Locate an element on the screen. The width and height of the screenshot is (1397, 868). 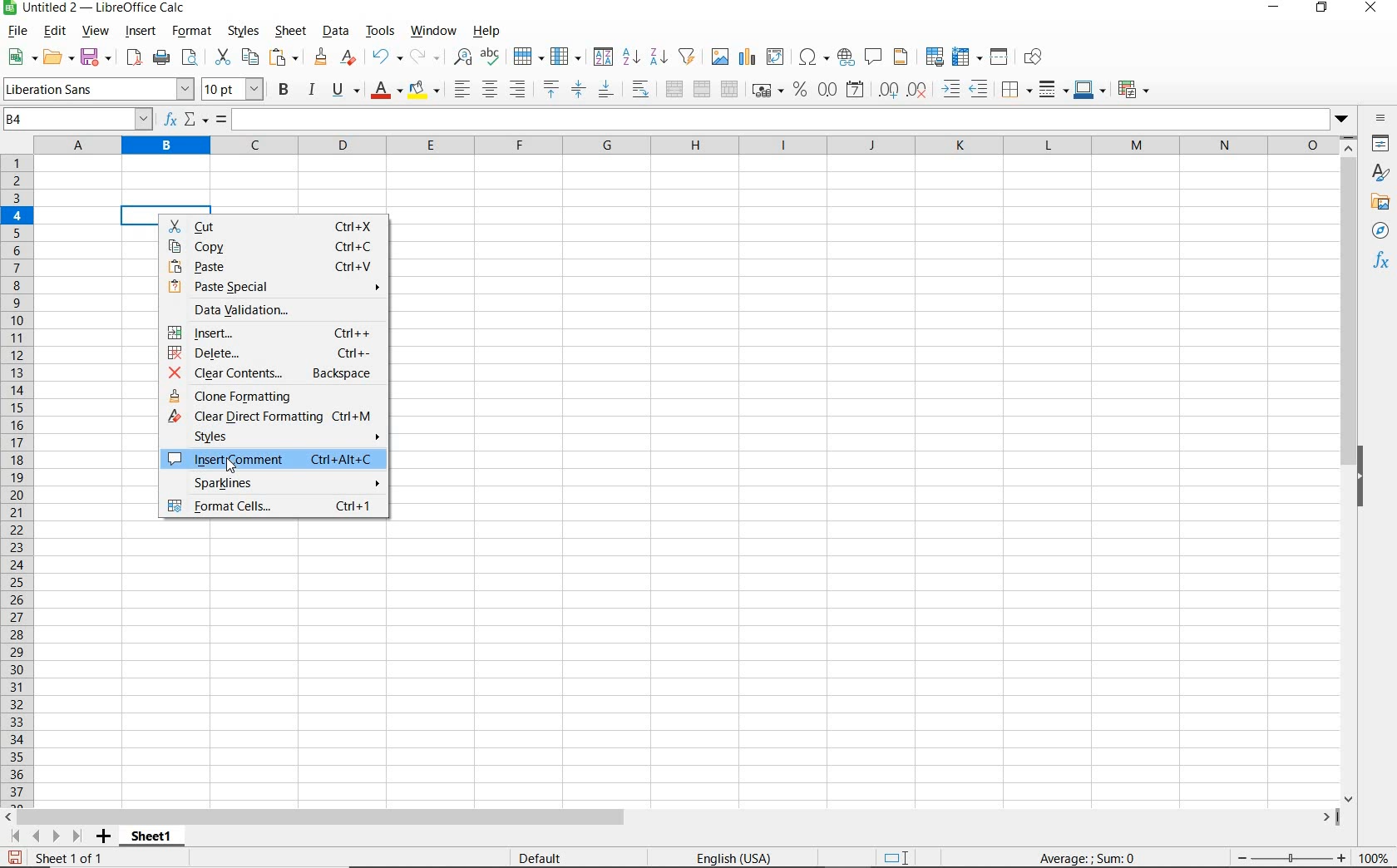
undo is located at coordinates (386, 57).